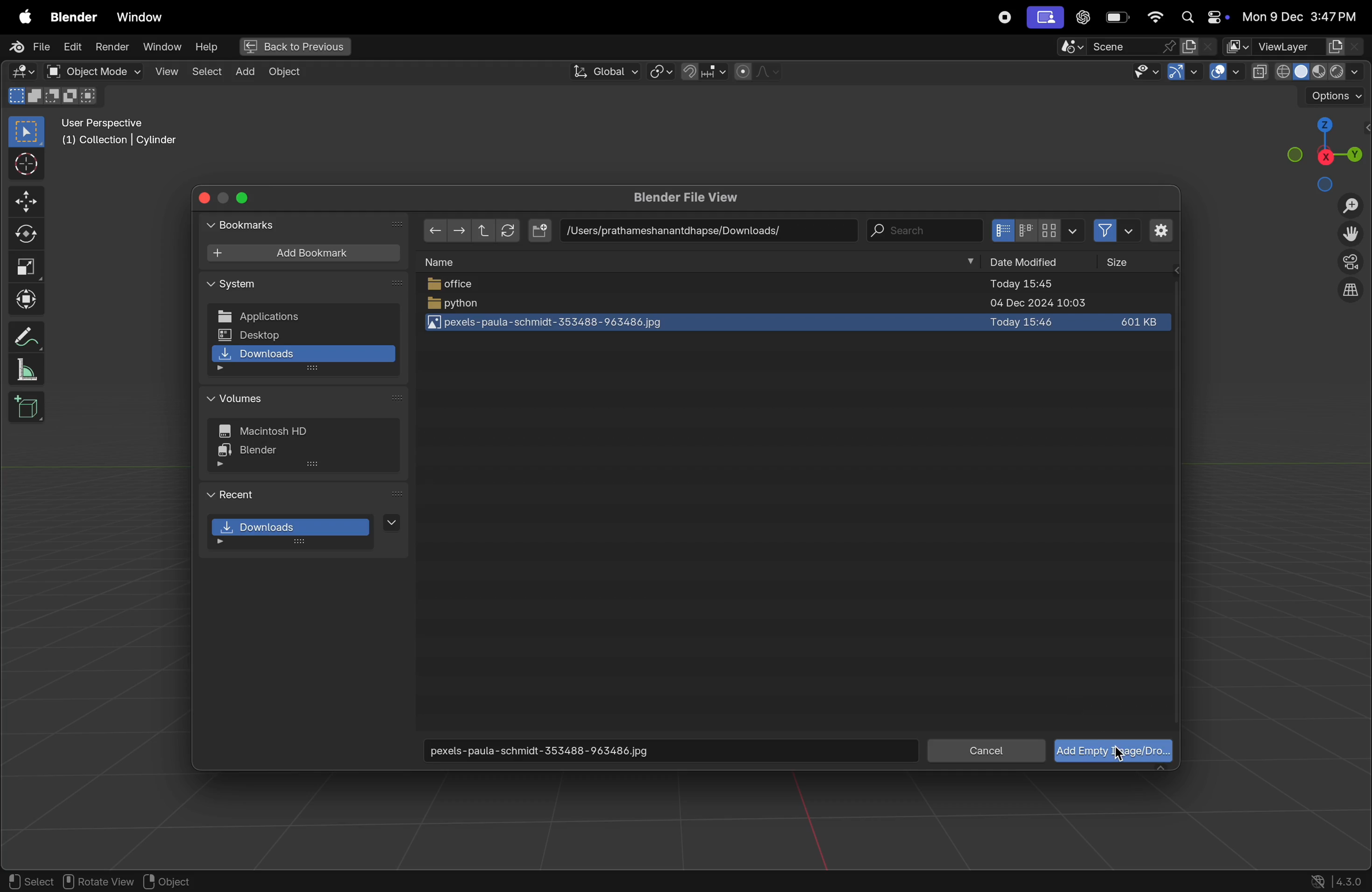  What do you see at coordinates (1145, 72) in the screenshot?
I see `visibility` at bounding box center [1145, 72].